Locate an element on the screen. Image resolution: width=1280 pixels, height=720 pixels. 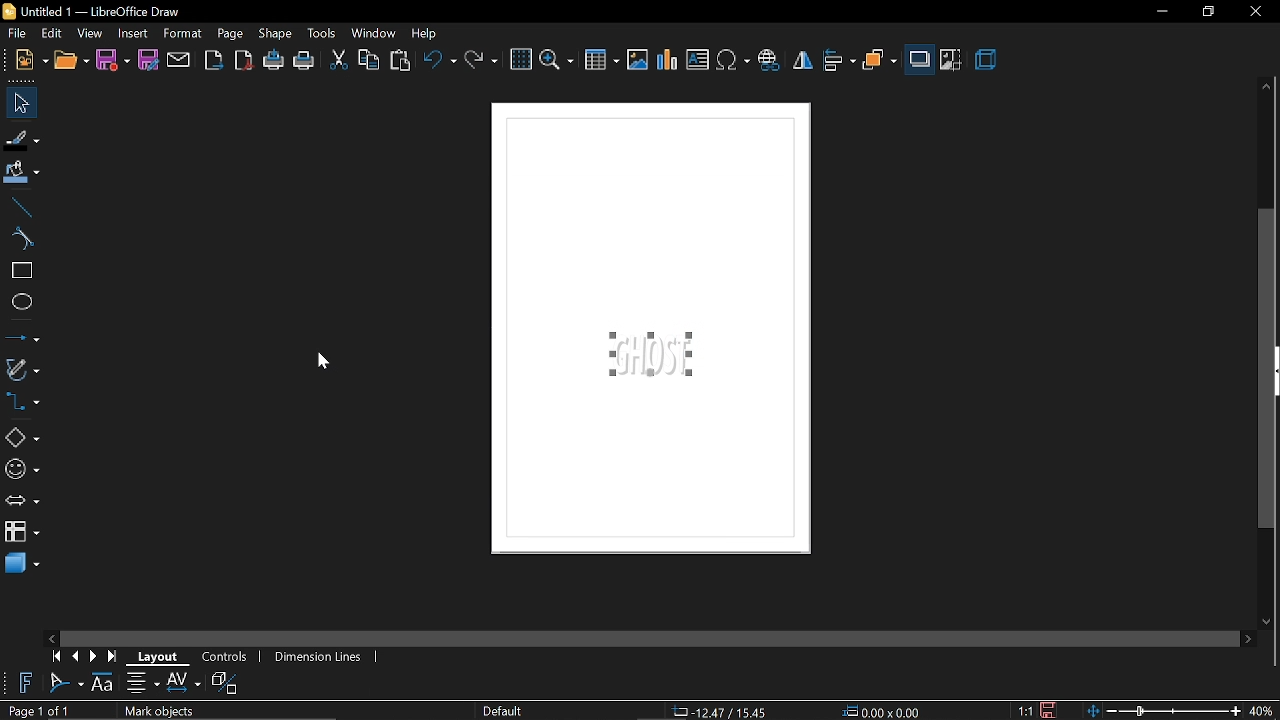
fontwork height is located at coordinates (103, 687).